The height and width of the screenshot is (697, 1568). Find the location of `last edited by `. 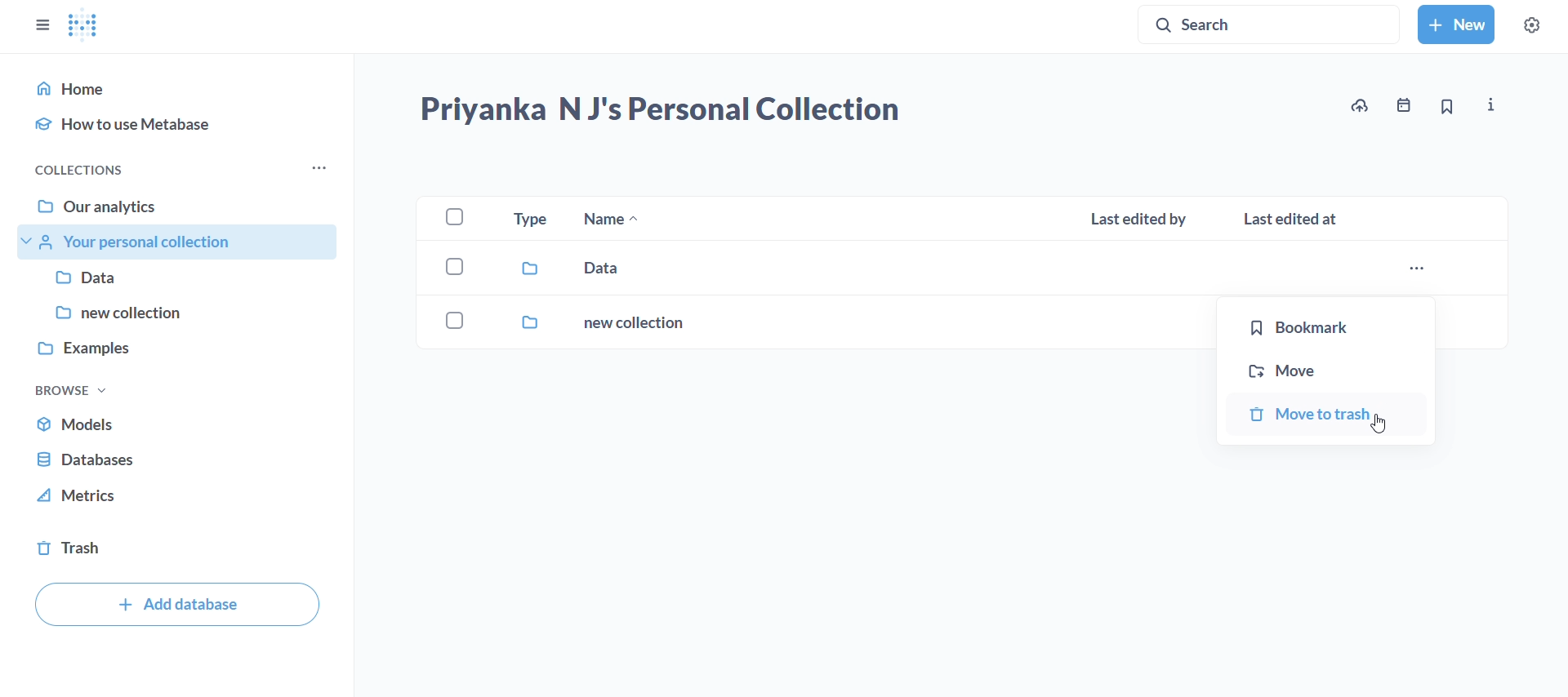

last edited by  is located at coordinates (1144, 219).